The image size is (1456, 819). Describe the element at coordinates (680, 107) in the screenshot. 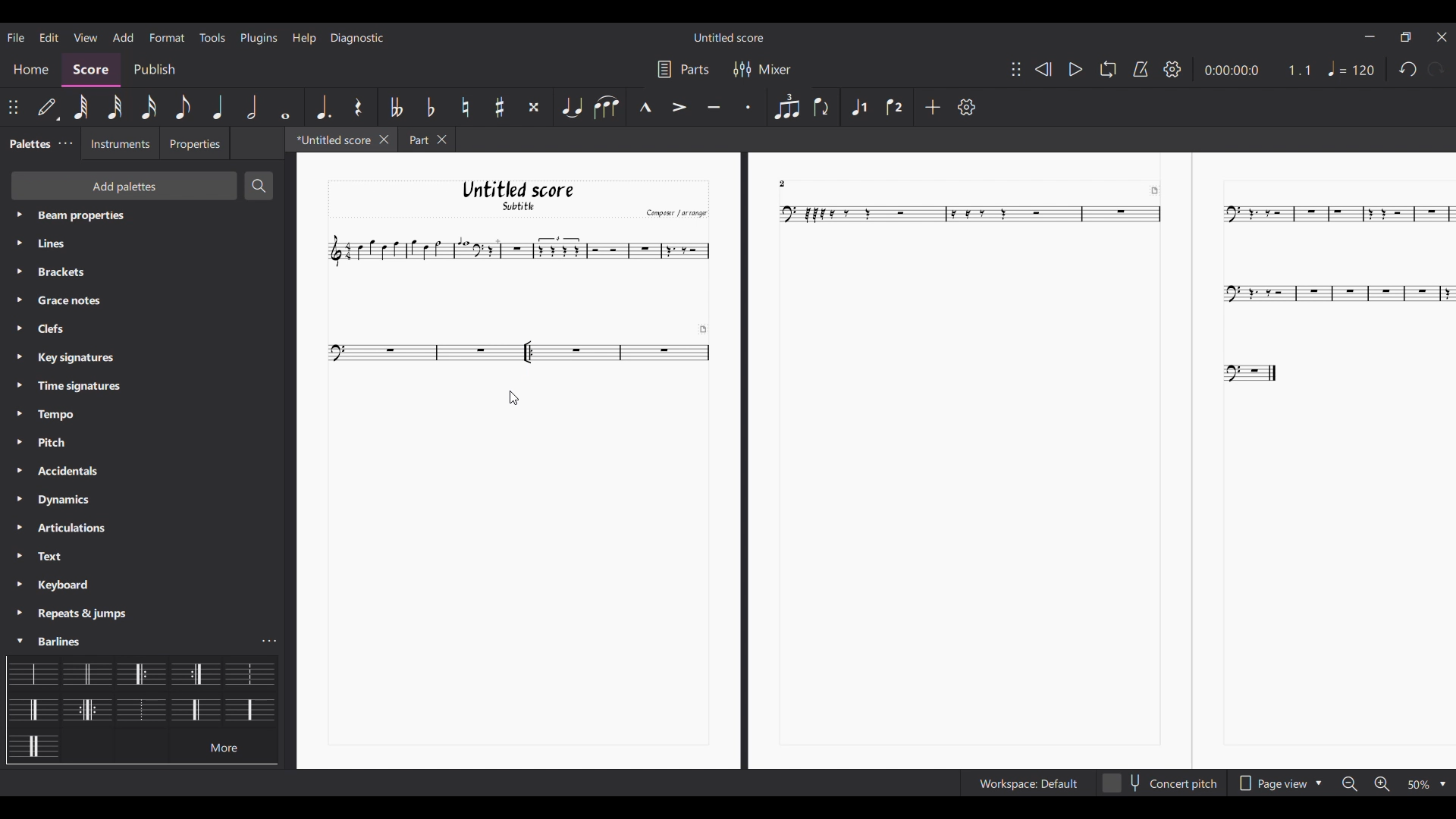

I see `Accent` at that location.